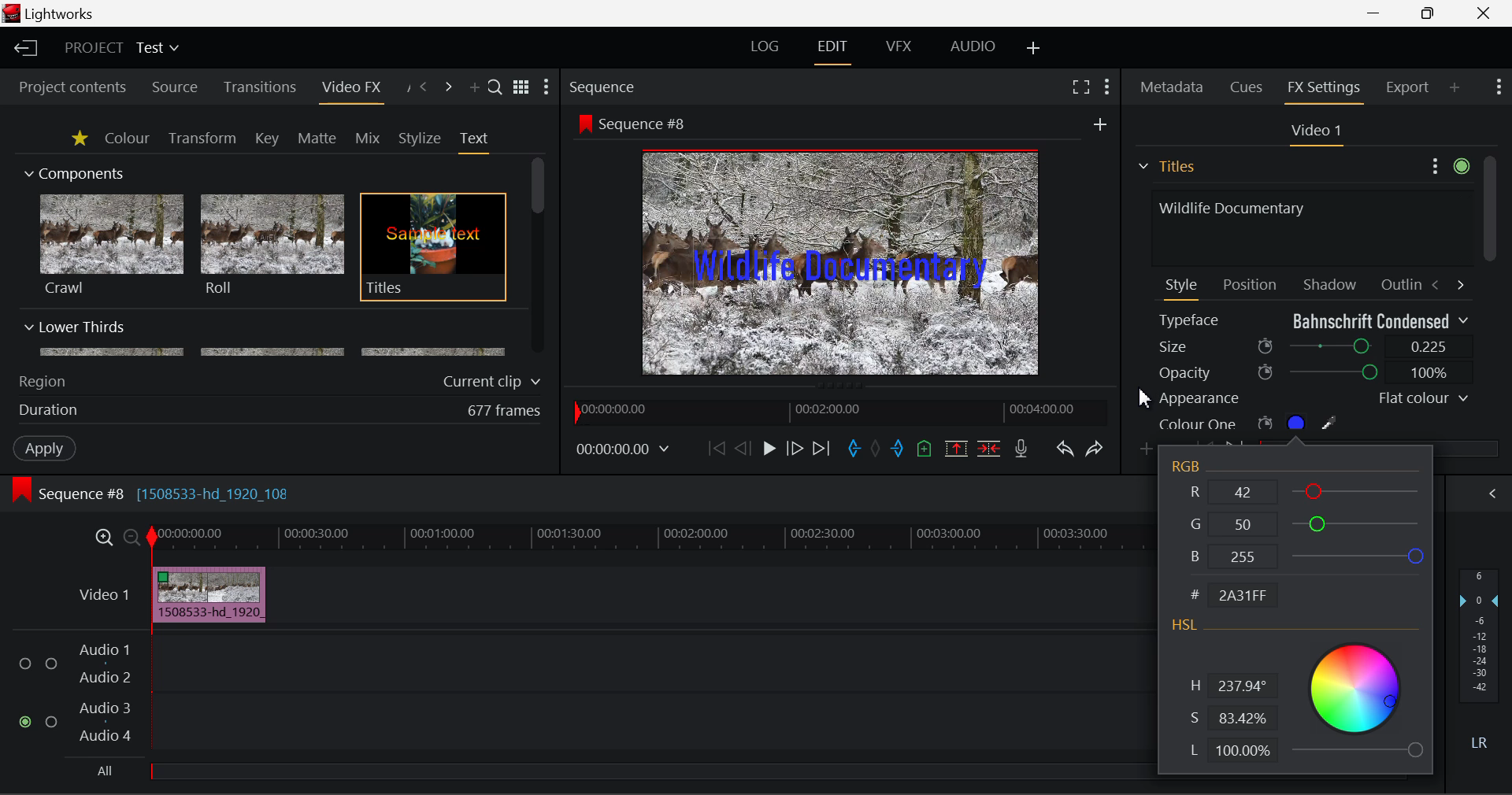 This screenshot has height=795, width=1512. Describe the element at coordinates (422, 88) in the screenshot. I see `Previous Panel` at that location.